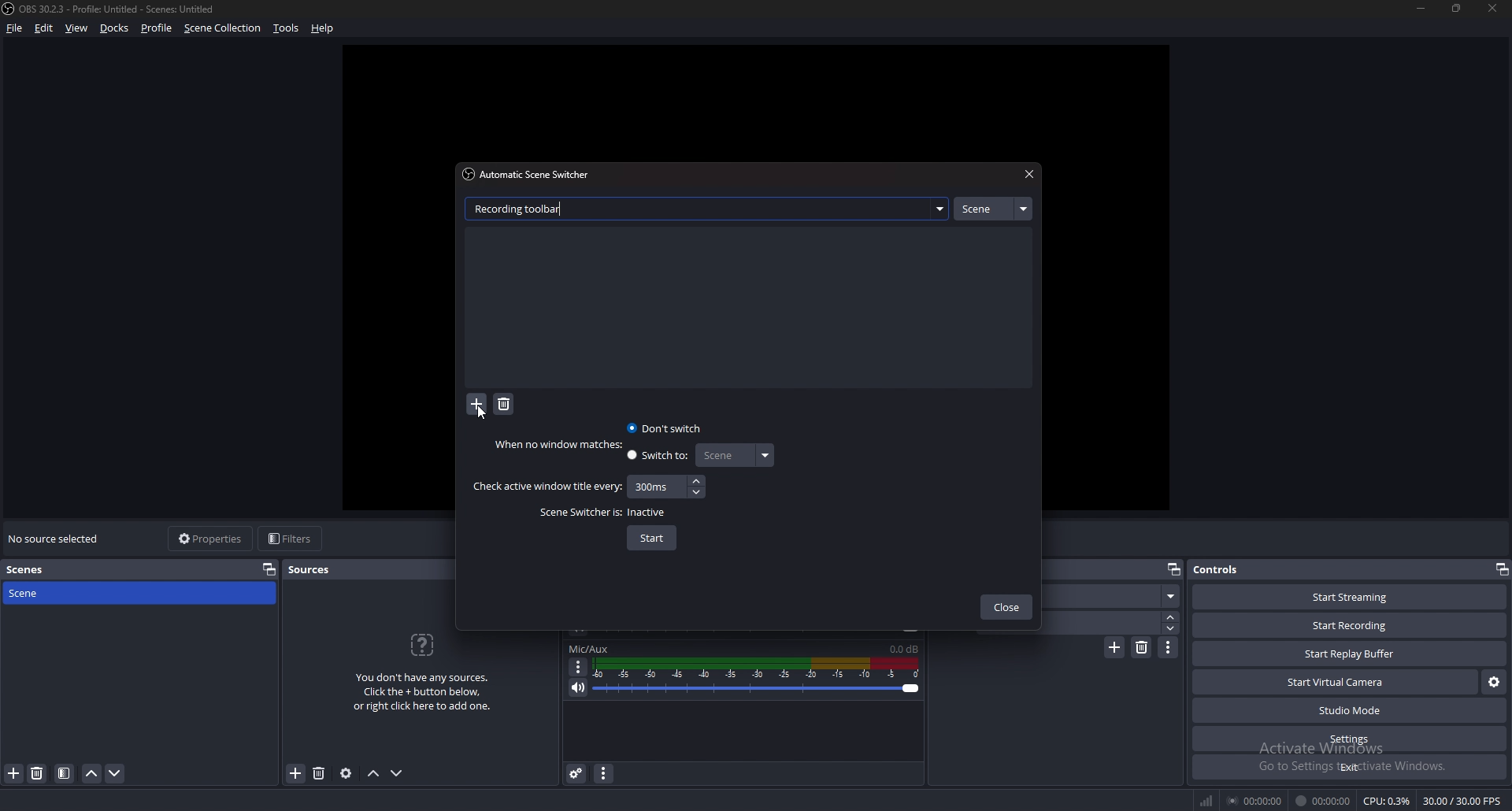 The width and height of the screenshot is (1512, 811). Describe the element at coordinates (292, 538) in the screenshot. I see `filters` at that location.